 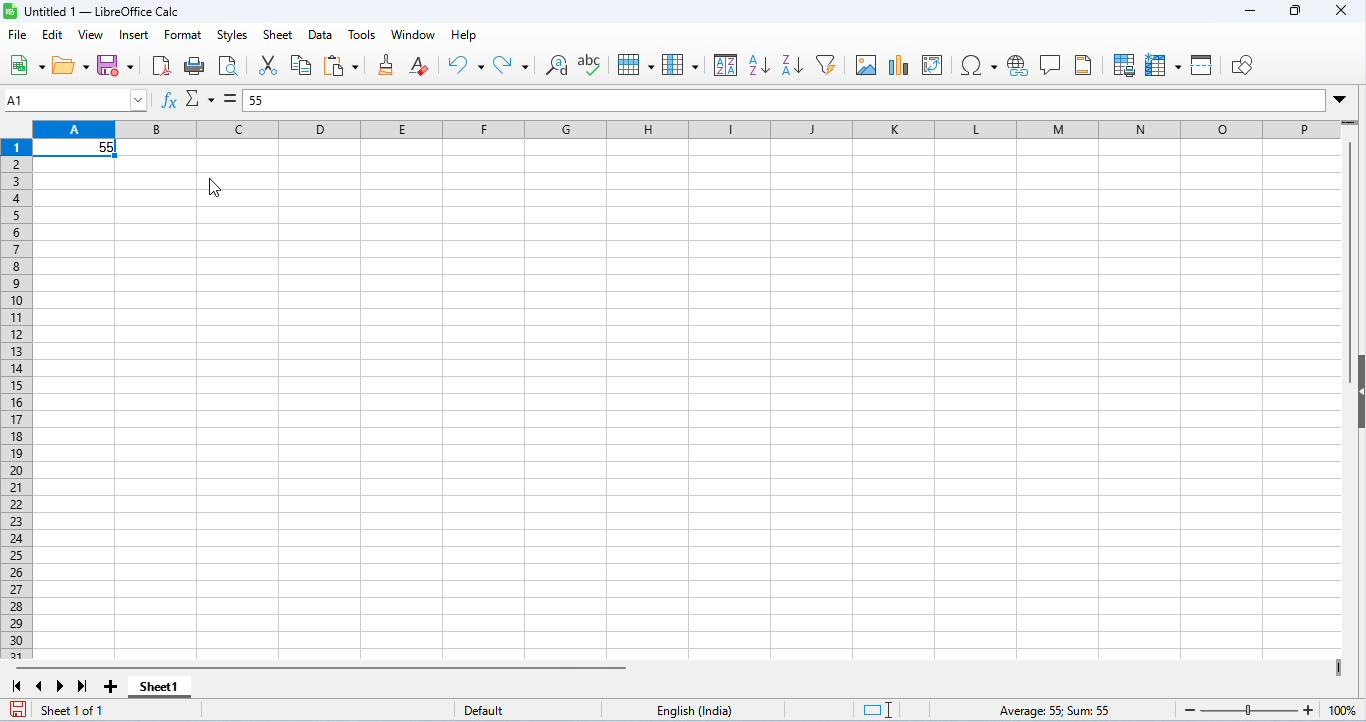 I want to click on view, so click(x=91, y=35).